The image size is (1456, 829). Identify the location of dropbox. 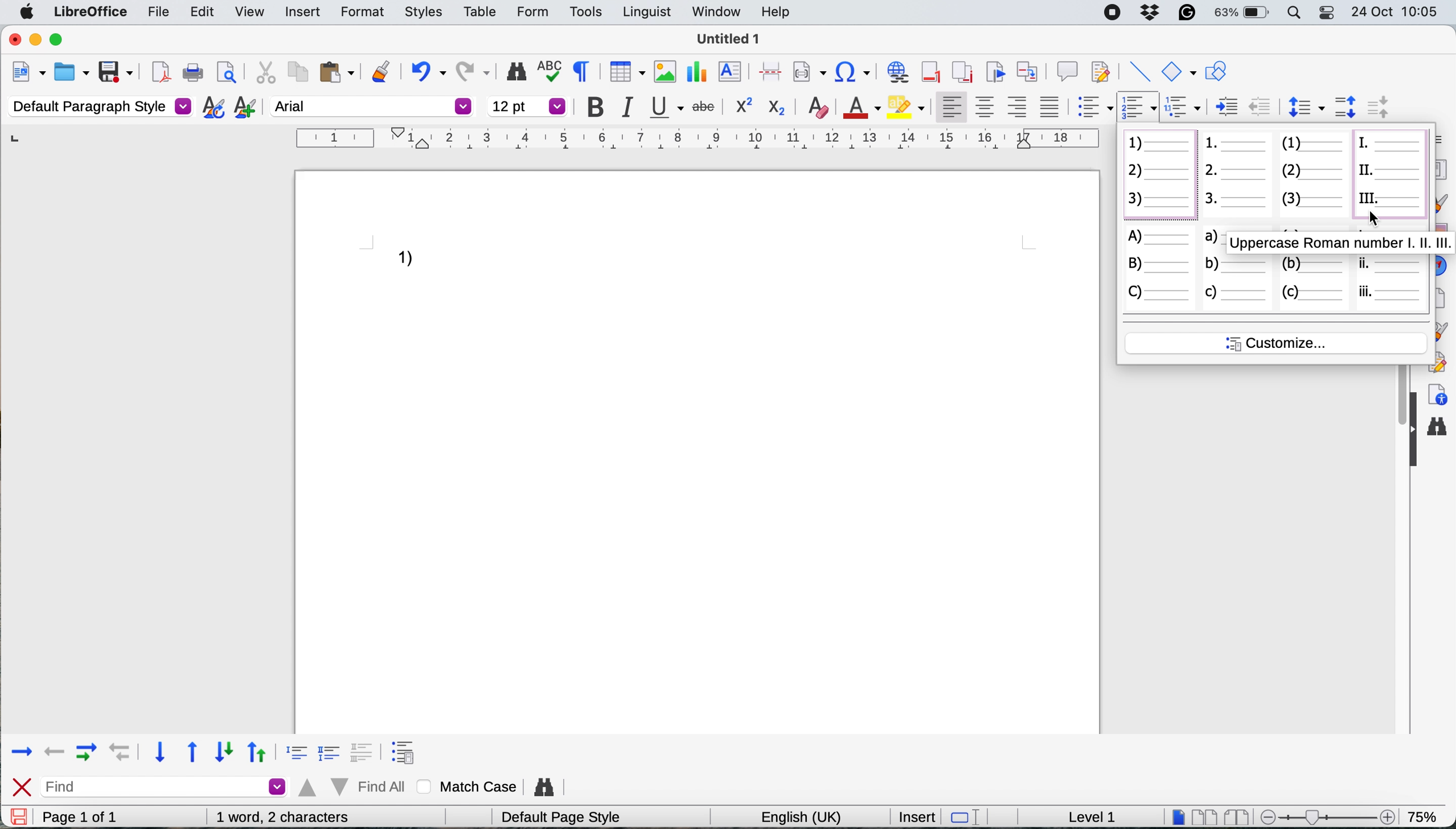
(1151, 11).